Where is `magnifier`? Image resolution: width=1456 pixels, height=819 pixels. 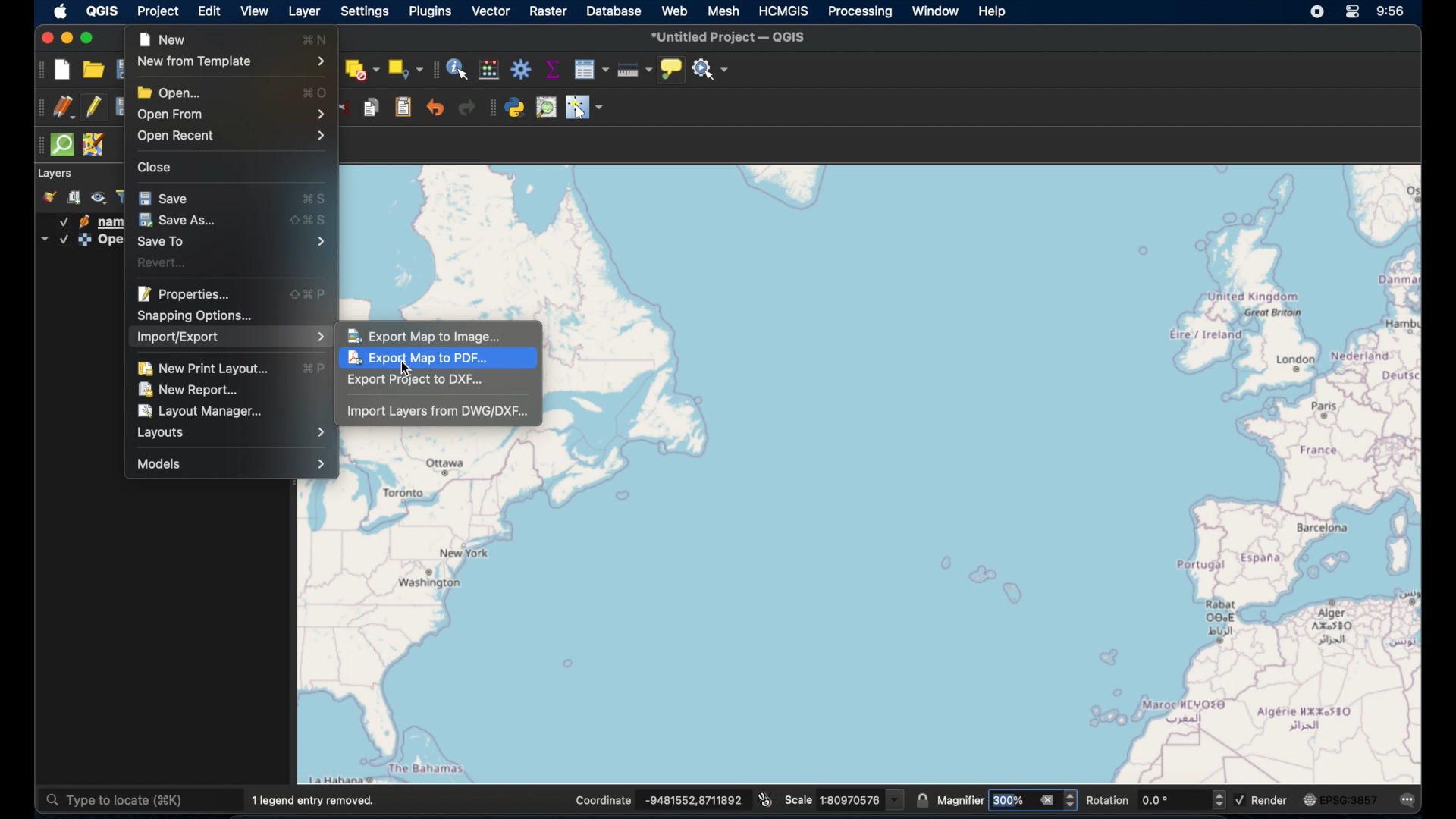
magnifier is located at coordinates (1008, 799).